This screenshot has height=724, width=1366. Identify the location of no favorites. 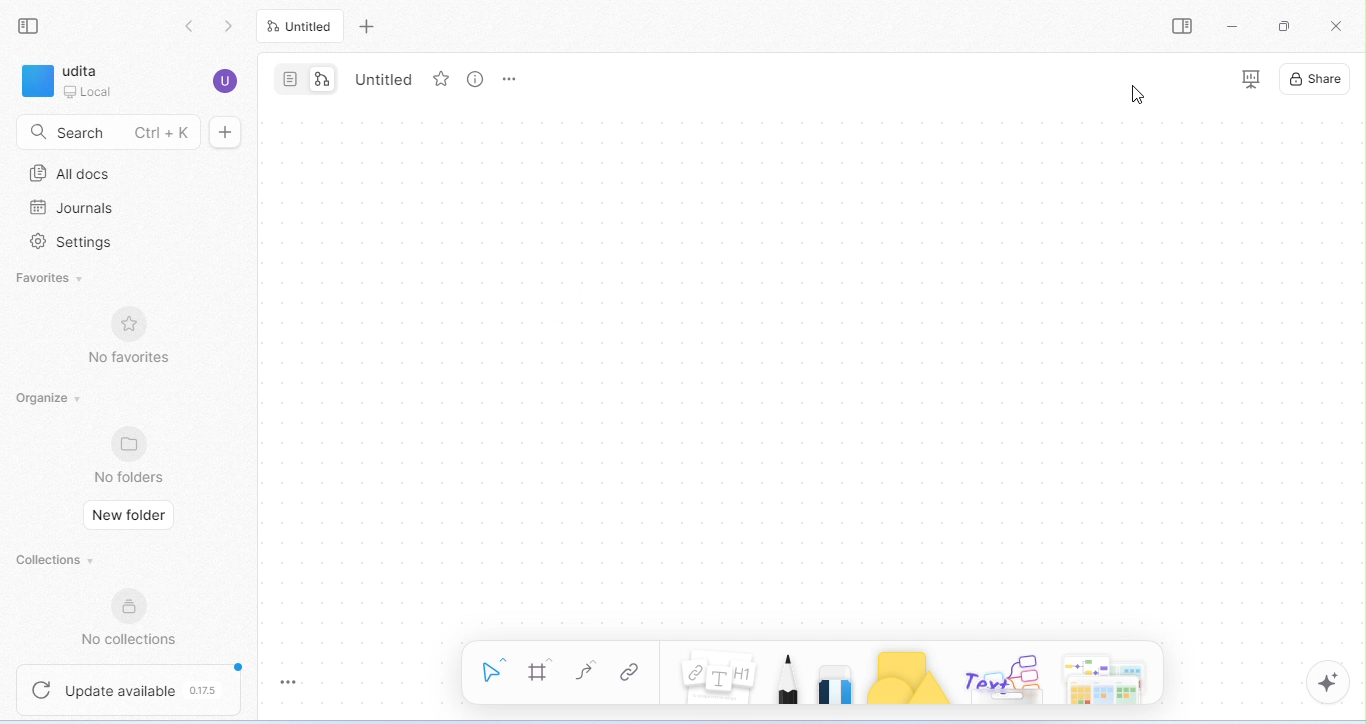
(128, 337).